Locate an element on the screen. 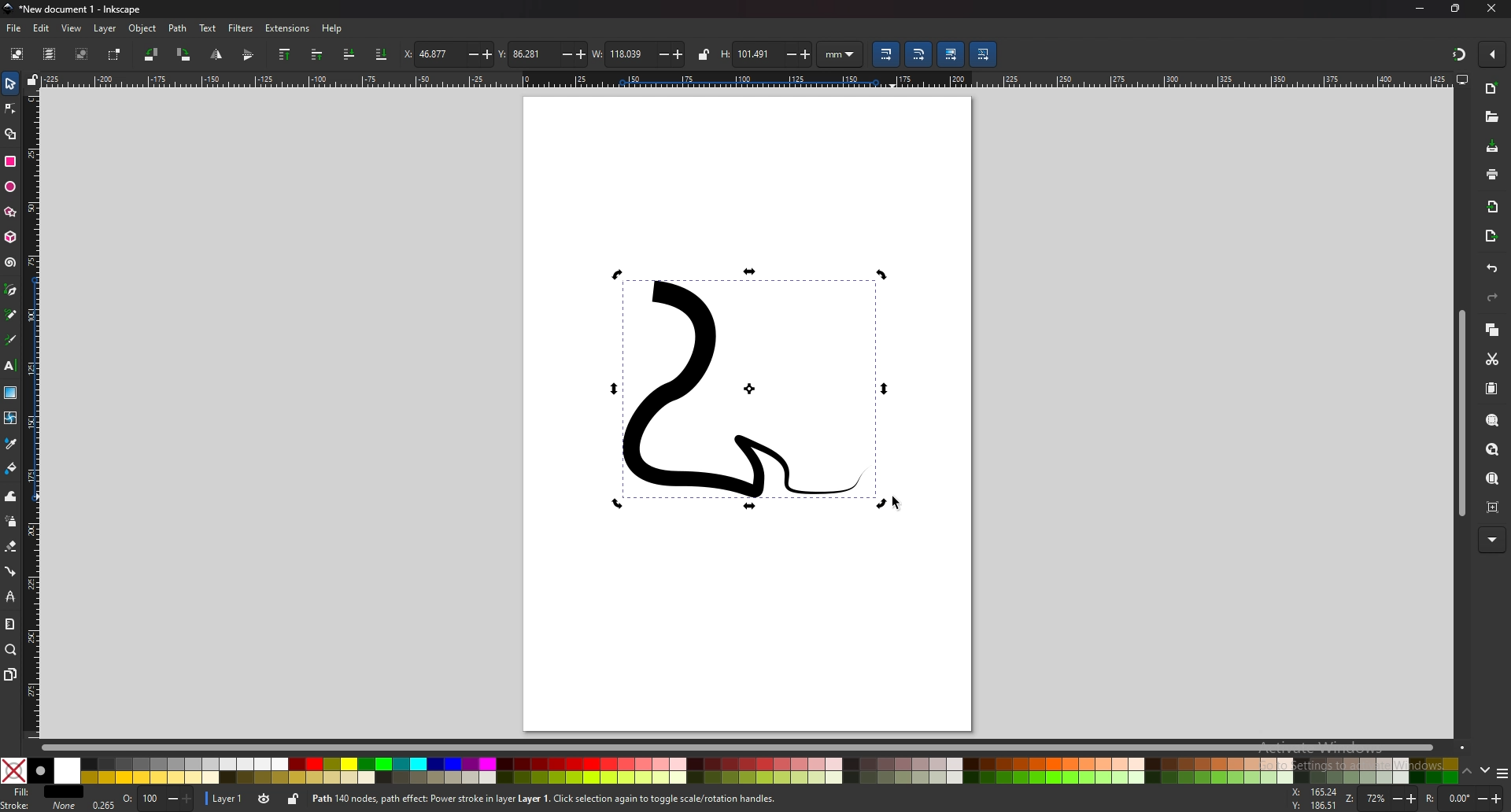 The width and height of the screenshot is (1511, 812). redo is located at coordinates (1494, 297).